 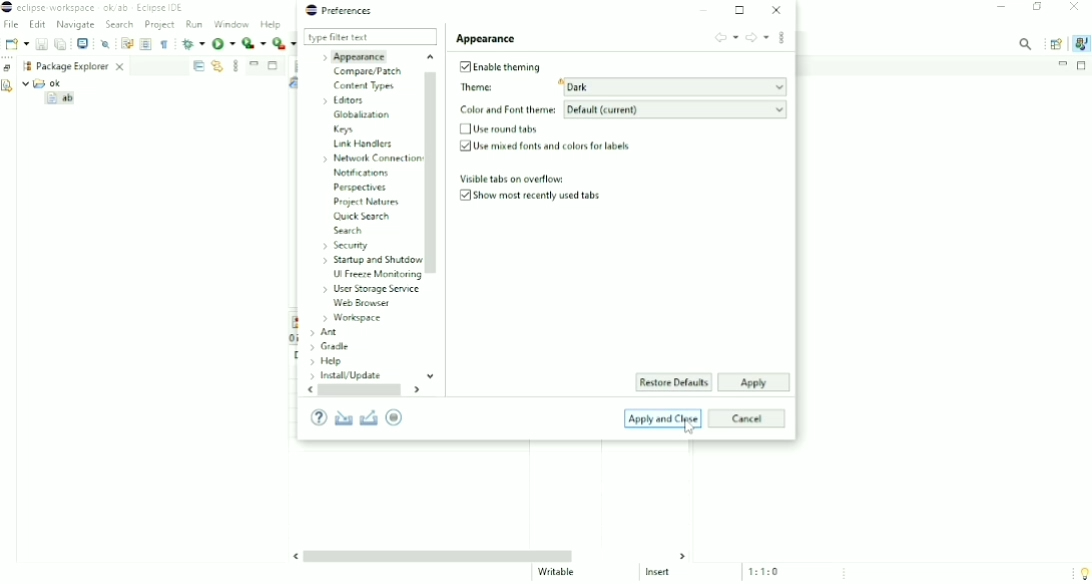 What do you see at coordinates (370, 37) in the screenshot?
I see `type filter text` at bounding box center [370, 37].